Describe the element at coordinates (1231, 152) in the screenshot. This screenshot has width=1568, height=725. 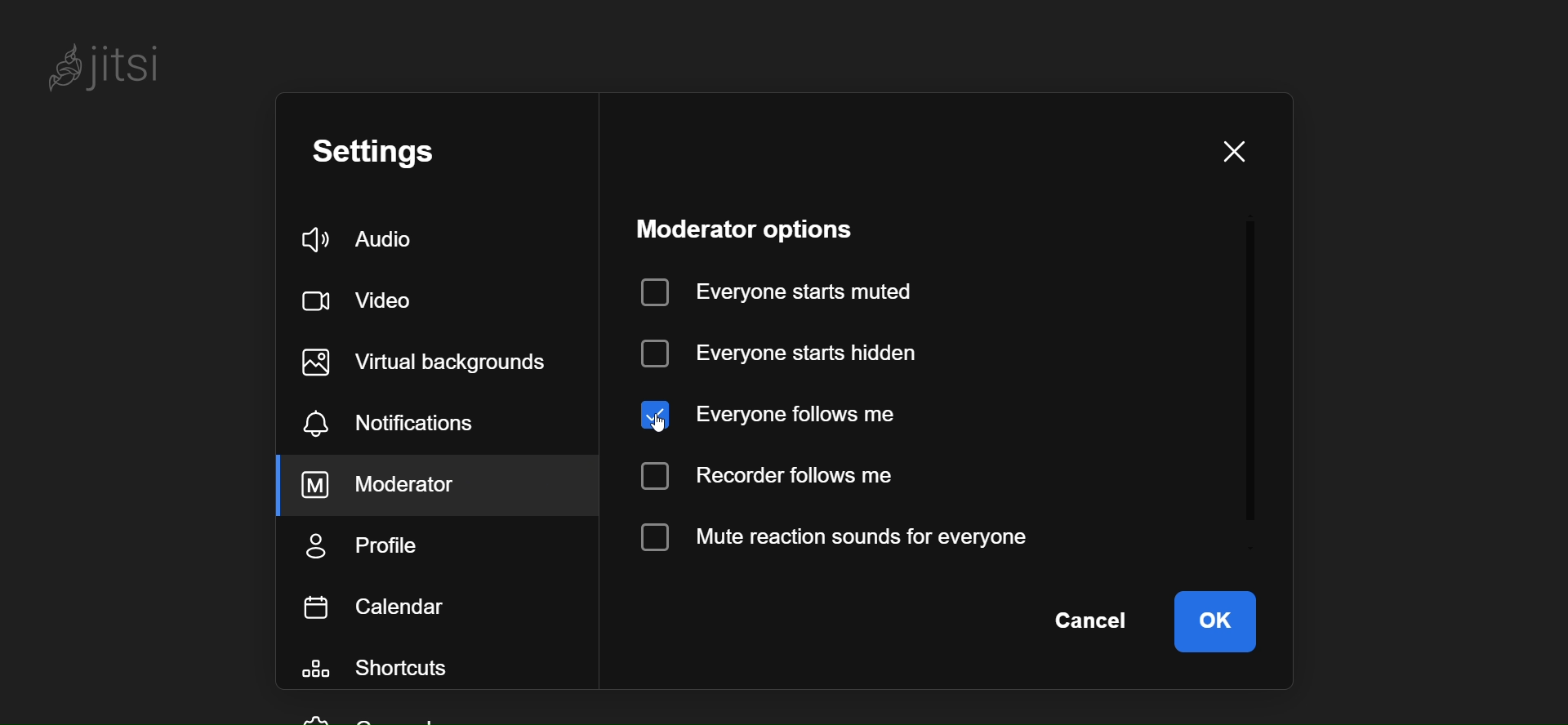
I see `close window` at that location.